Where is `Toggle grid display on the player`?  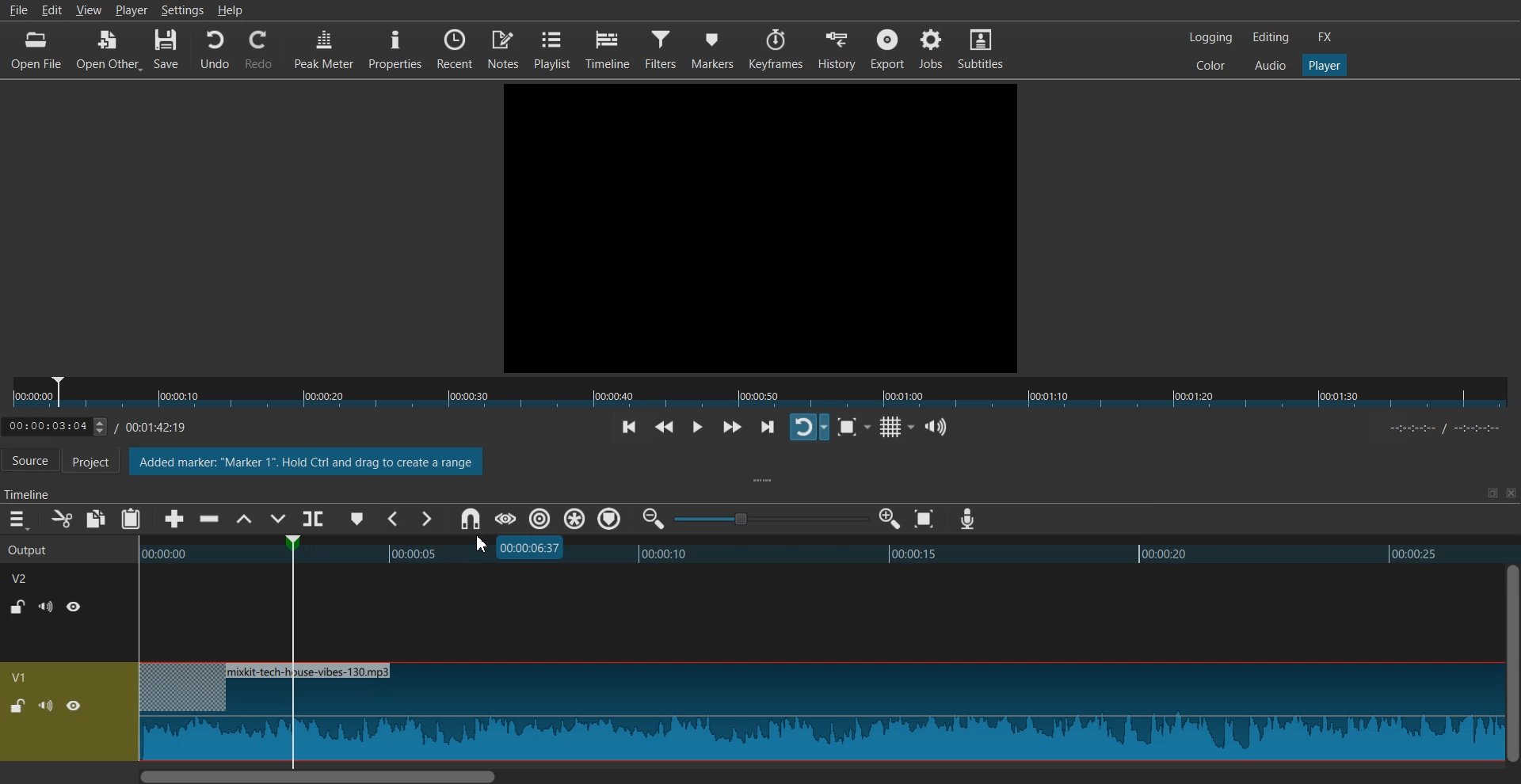
Toggle grid display on the player is located at coordinates (894, 428).